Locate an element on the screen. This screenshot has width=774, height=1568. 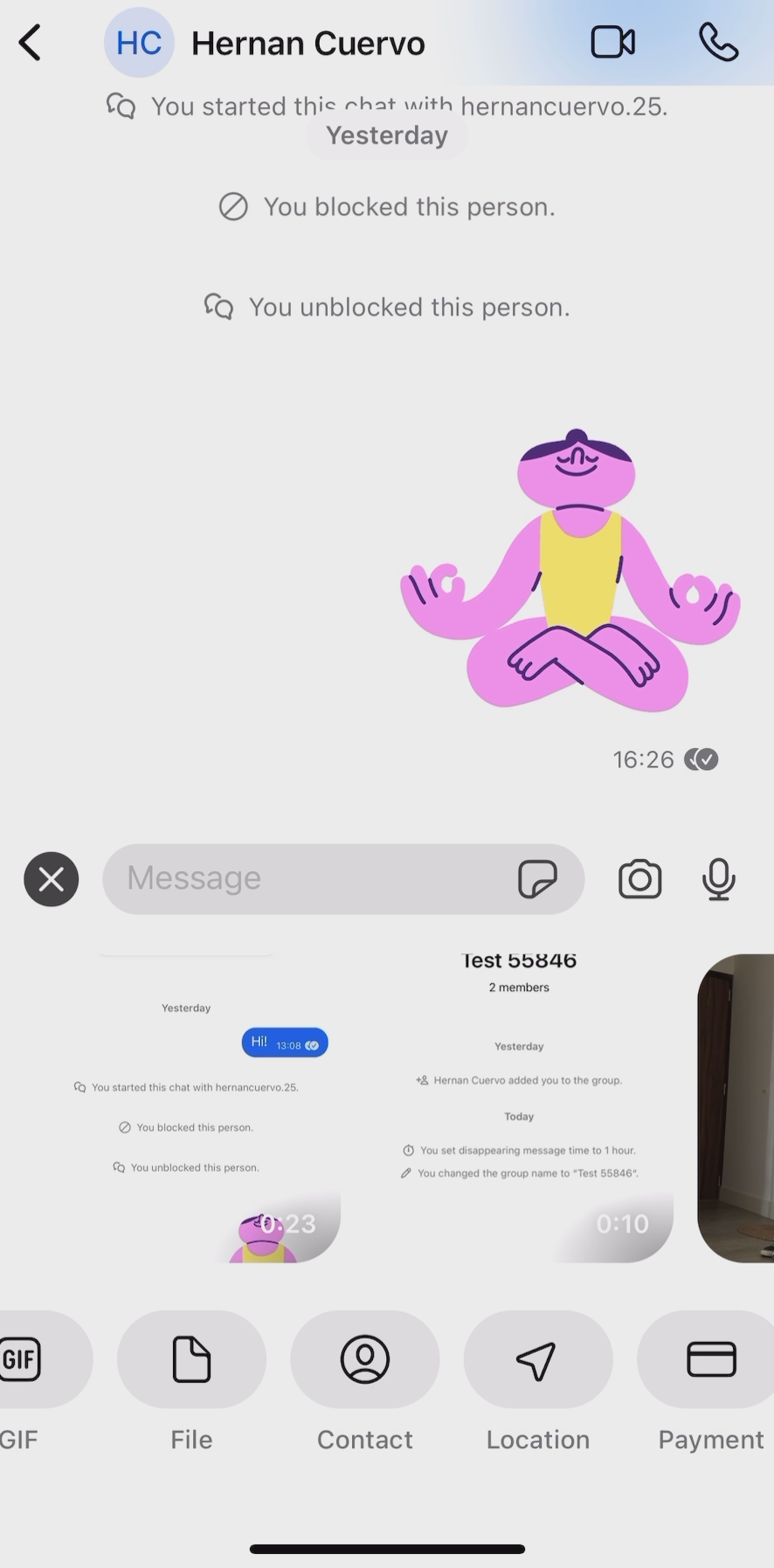
location button is located at coordinates (539, 1390).